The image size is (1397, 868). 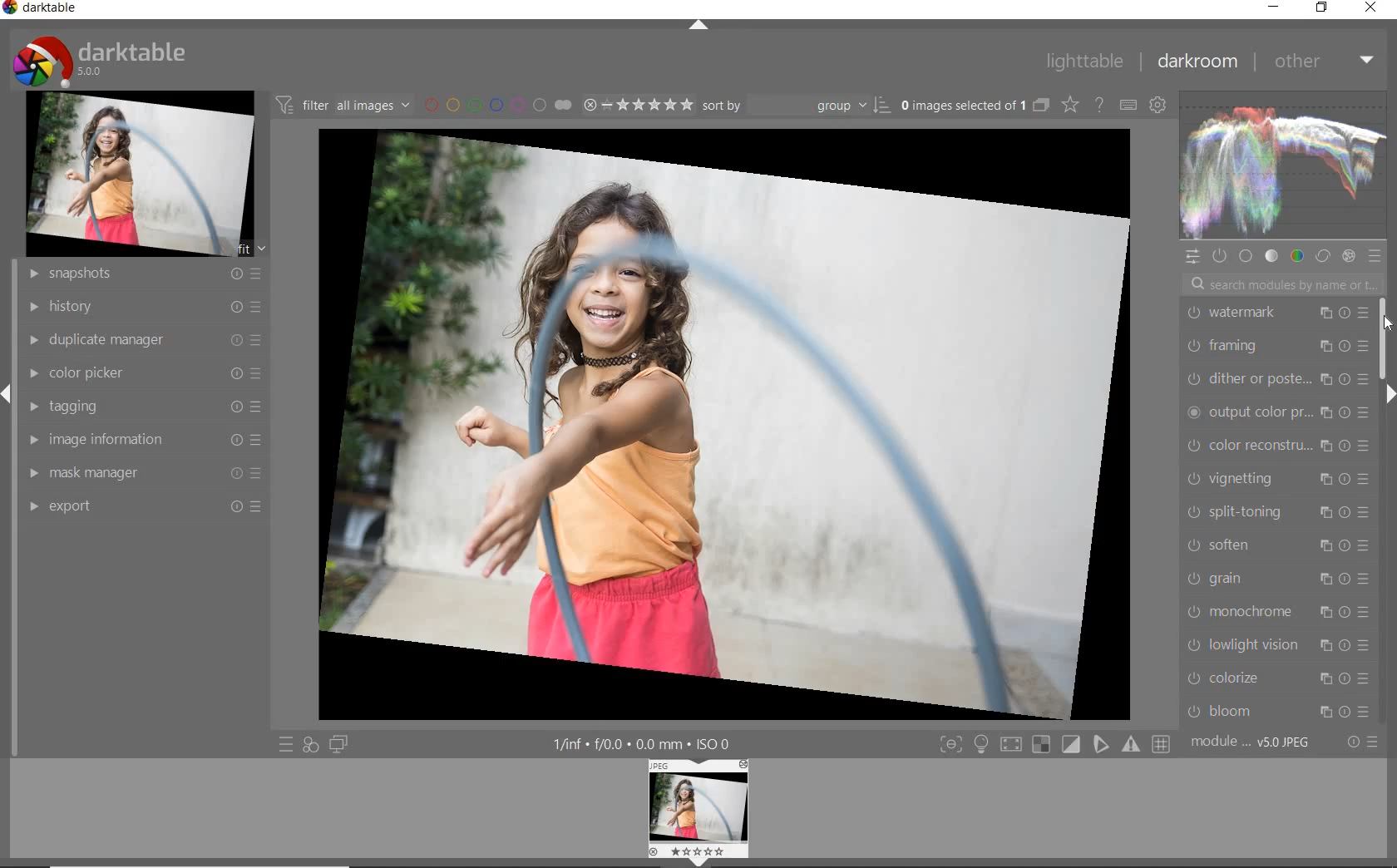 I want to click on framing, so click(x=1278, y=346).